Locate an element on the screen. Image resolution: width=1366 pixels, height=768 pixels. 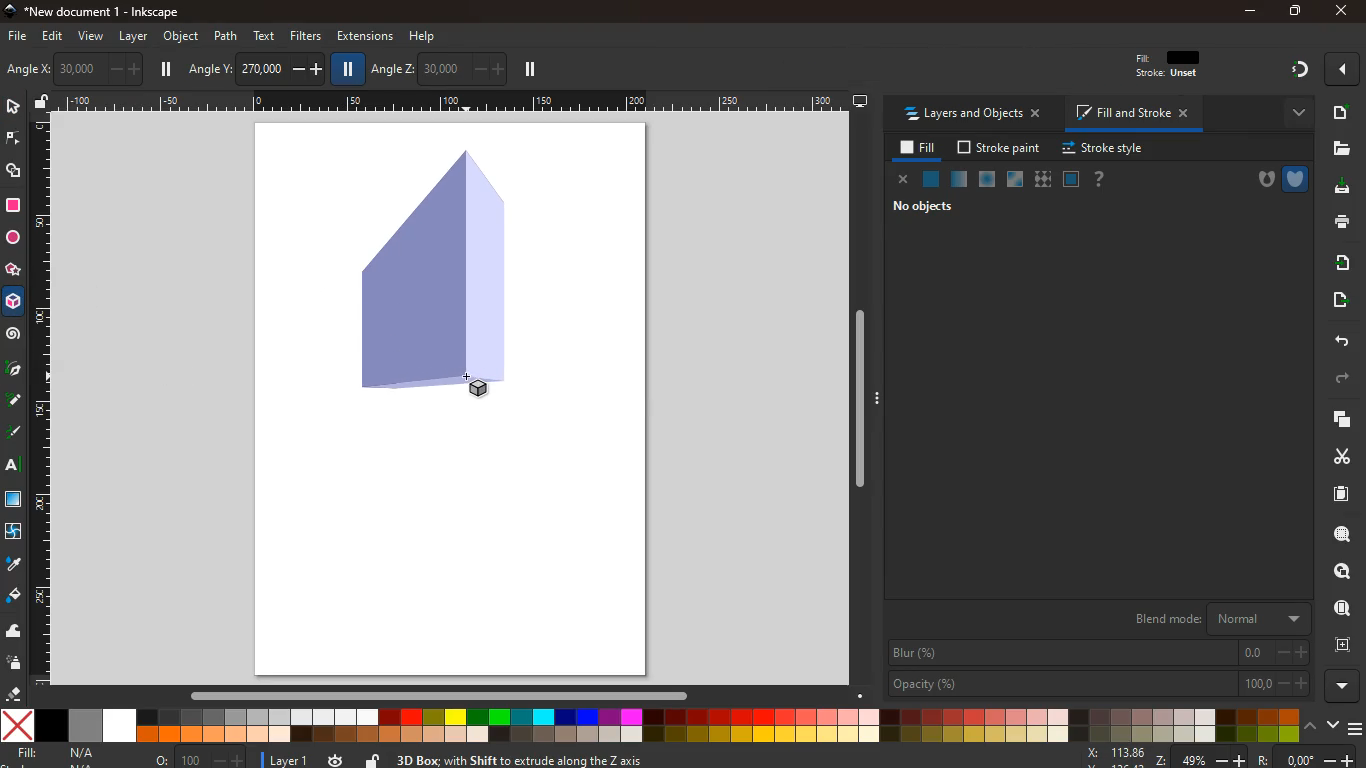
fill is located at coordinates (60, 753).